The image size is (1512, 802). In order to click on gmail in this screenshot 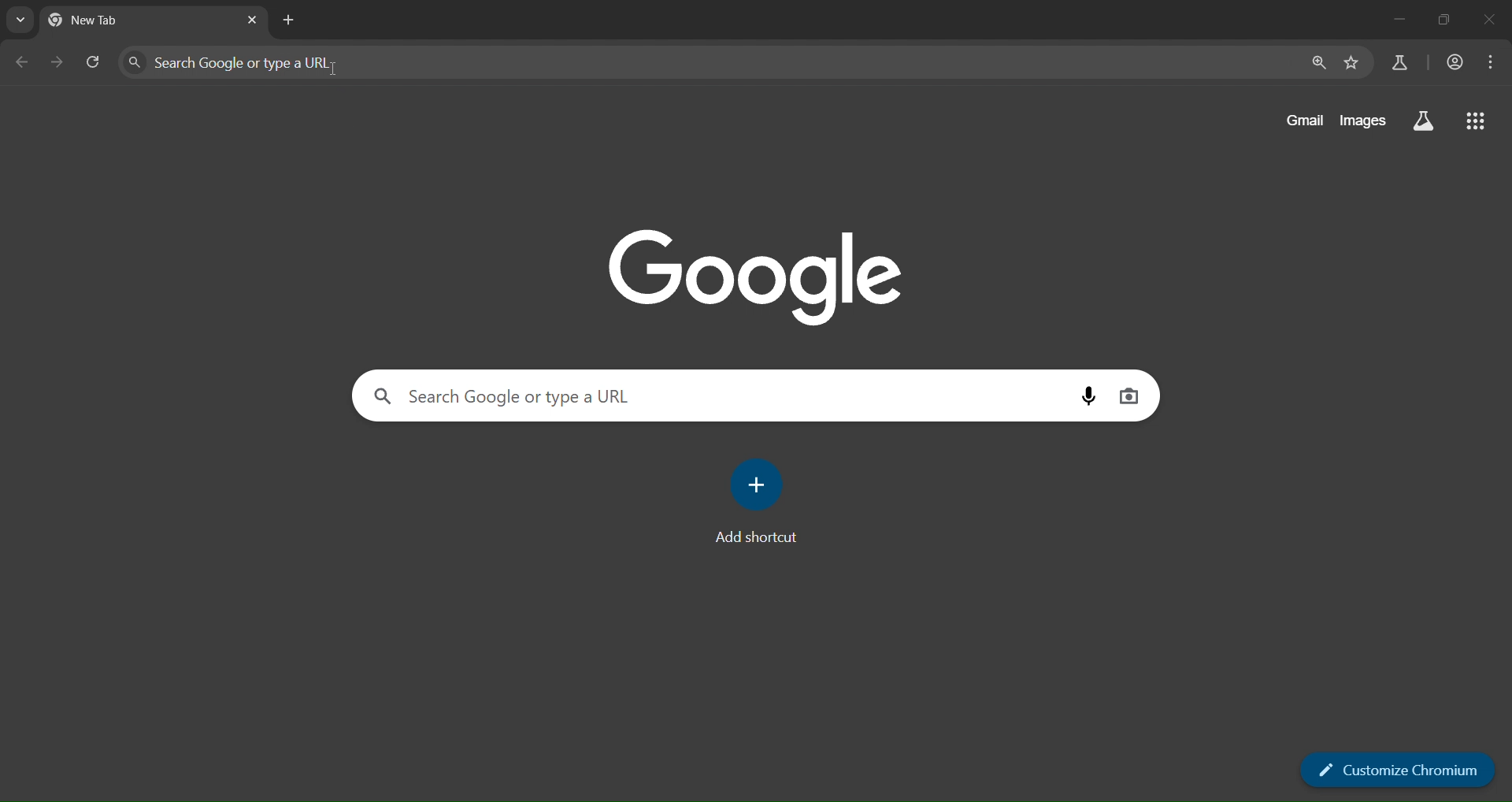, I will do `click(1301, 121)`.